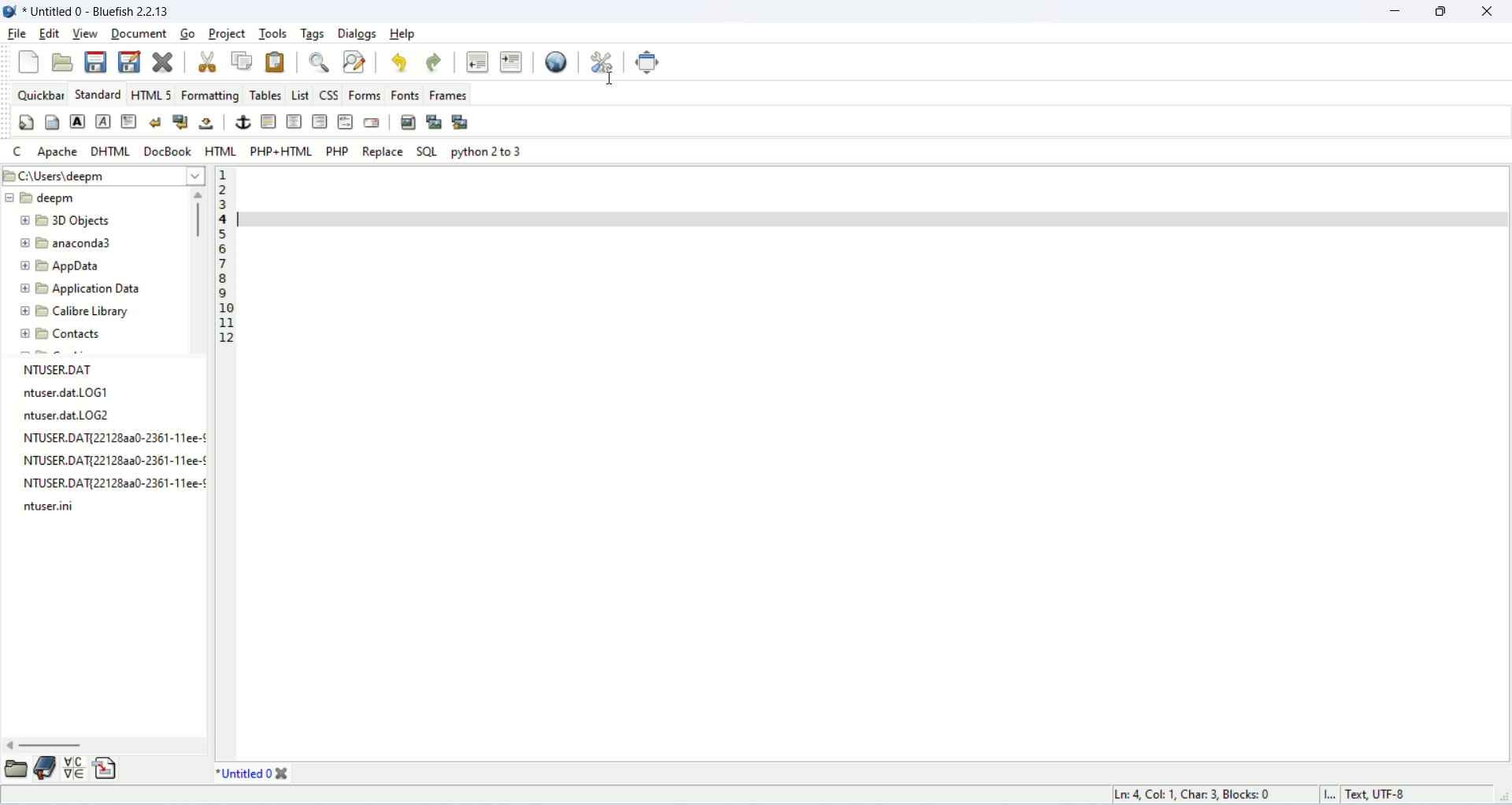 The width and height of the screenshot is (1512, 805). Describe the element at coordinates (650, 63) in the screenshot. I see `fullscreen` at that location.